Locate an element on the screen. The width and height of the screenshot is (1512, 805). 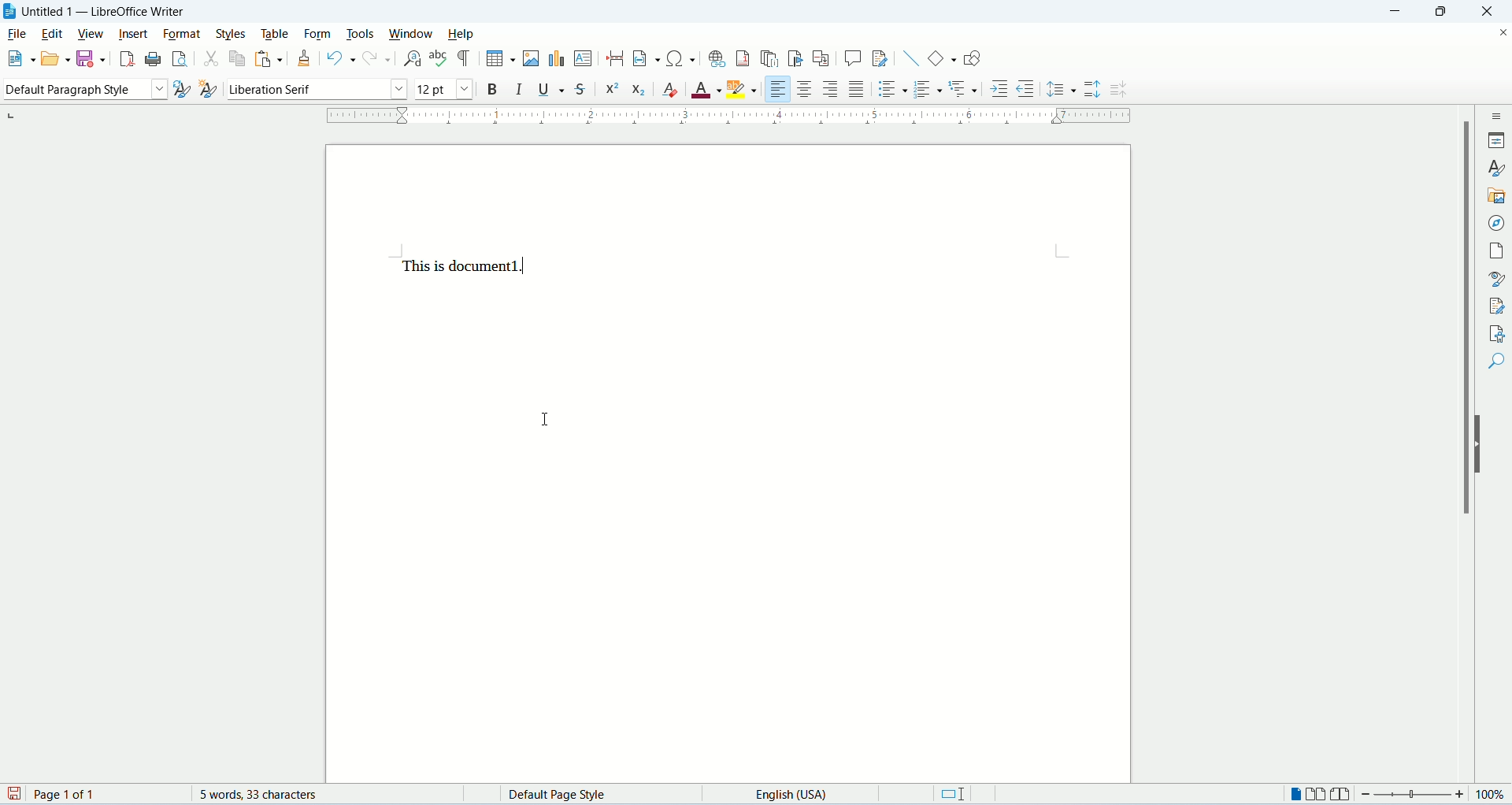
print preview is located at coordinates (177, 57).